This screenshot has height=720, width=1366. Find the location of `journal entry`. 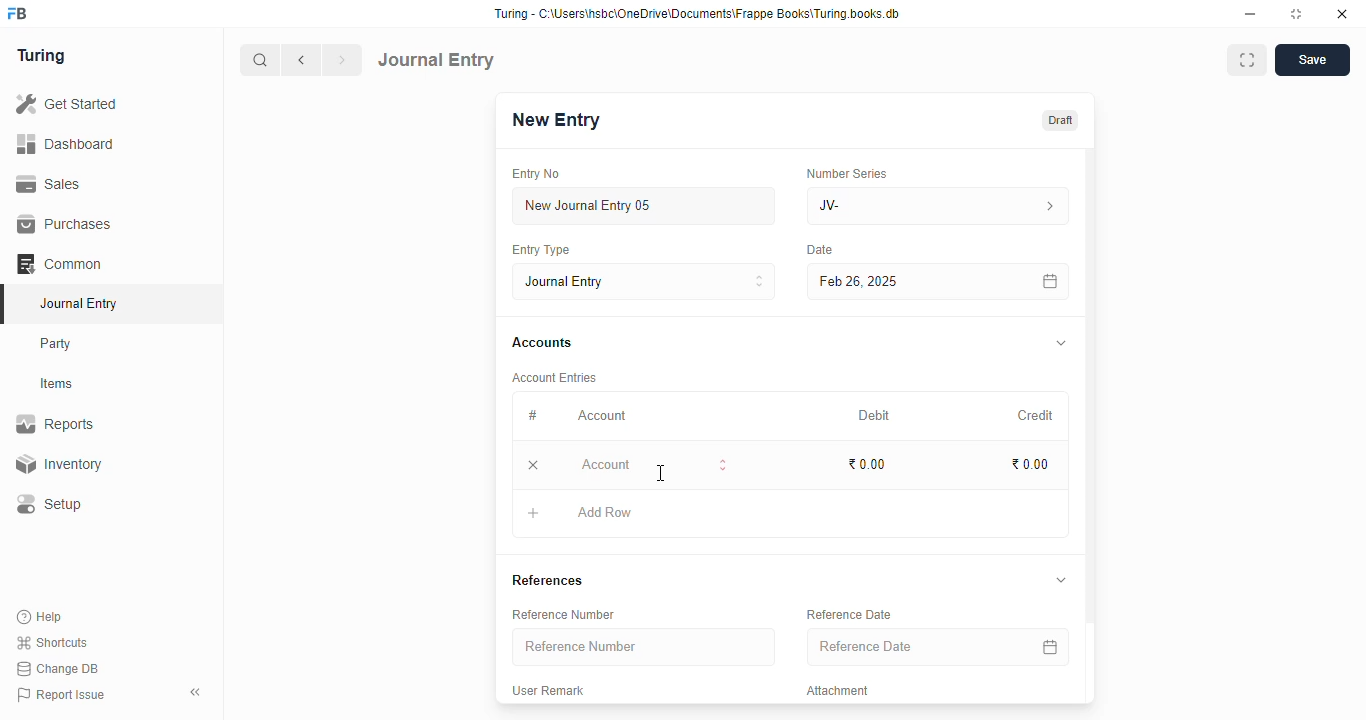

journal entry is located at coordinates (437, 59).